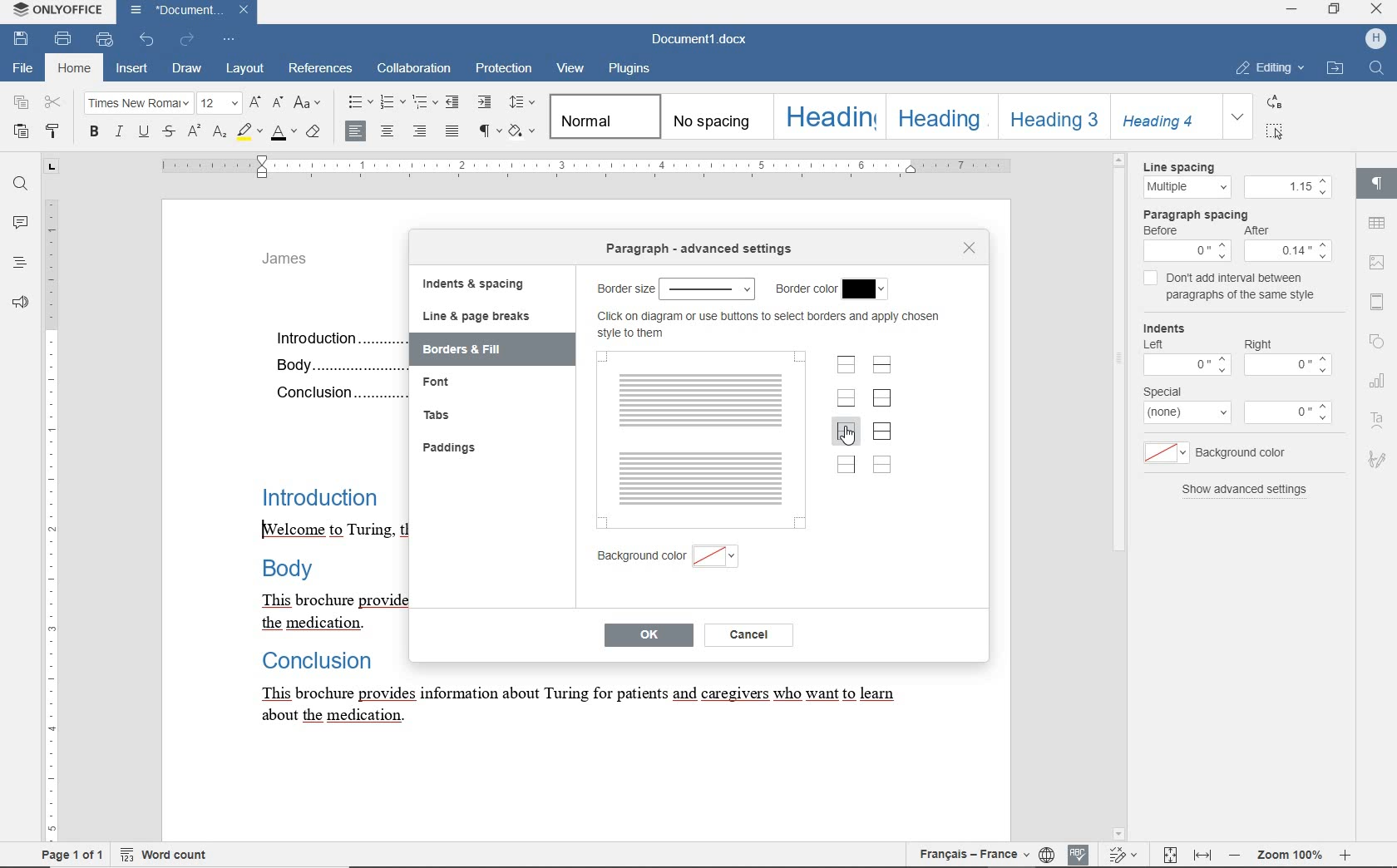  What do you see at coordinates (21, 182) in the screenshot?
I see `find` at bounding box center [21, 182].